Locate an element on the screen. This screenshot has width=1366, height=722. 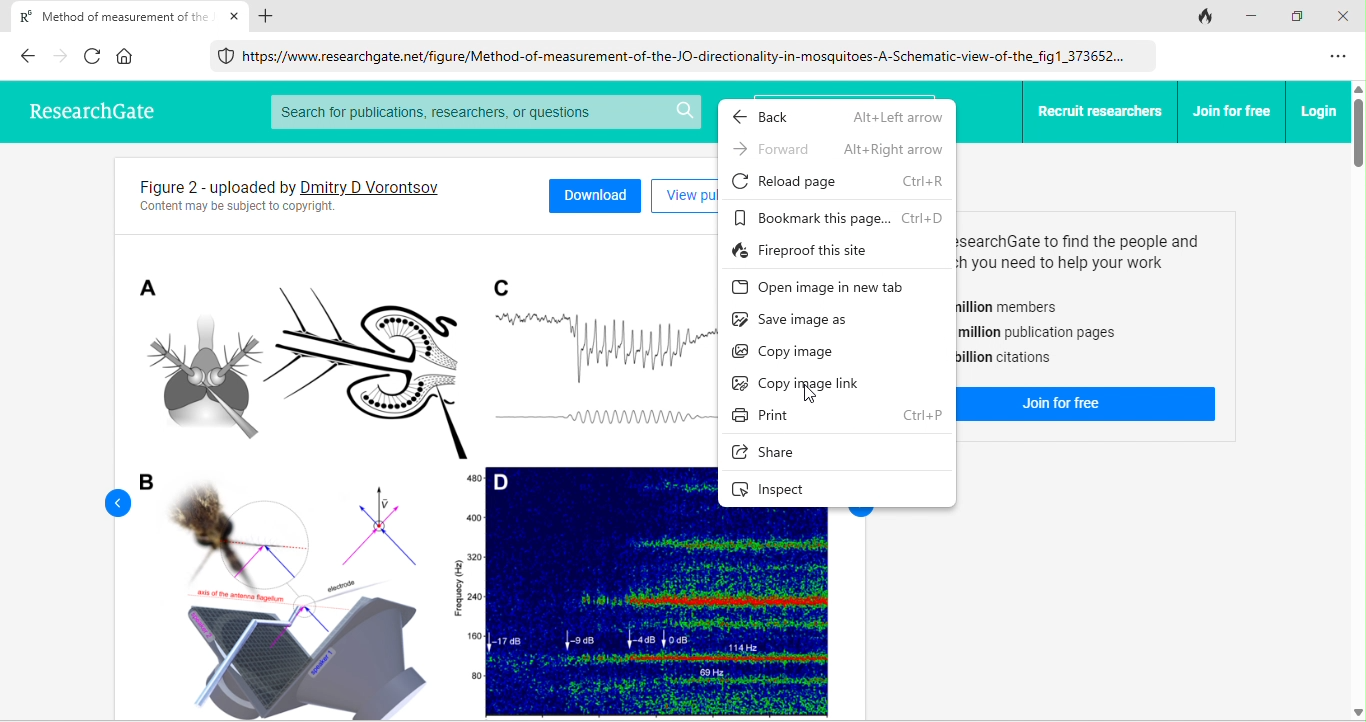
track tab is located at coordinates (1206, 17).